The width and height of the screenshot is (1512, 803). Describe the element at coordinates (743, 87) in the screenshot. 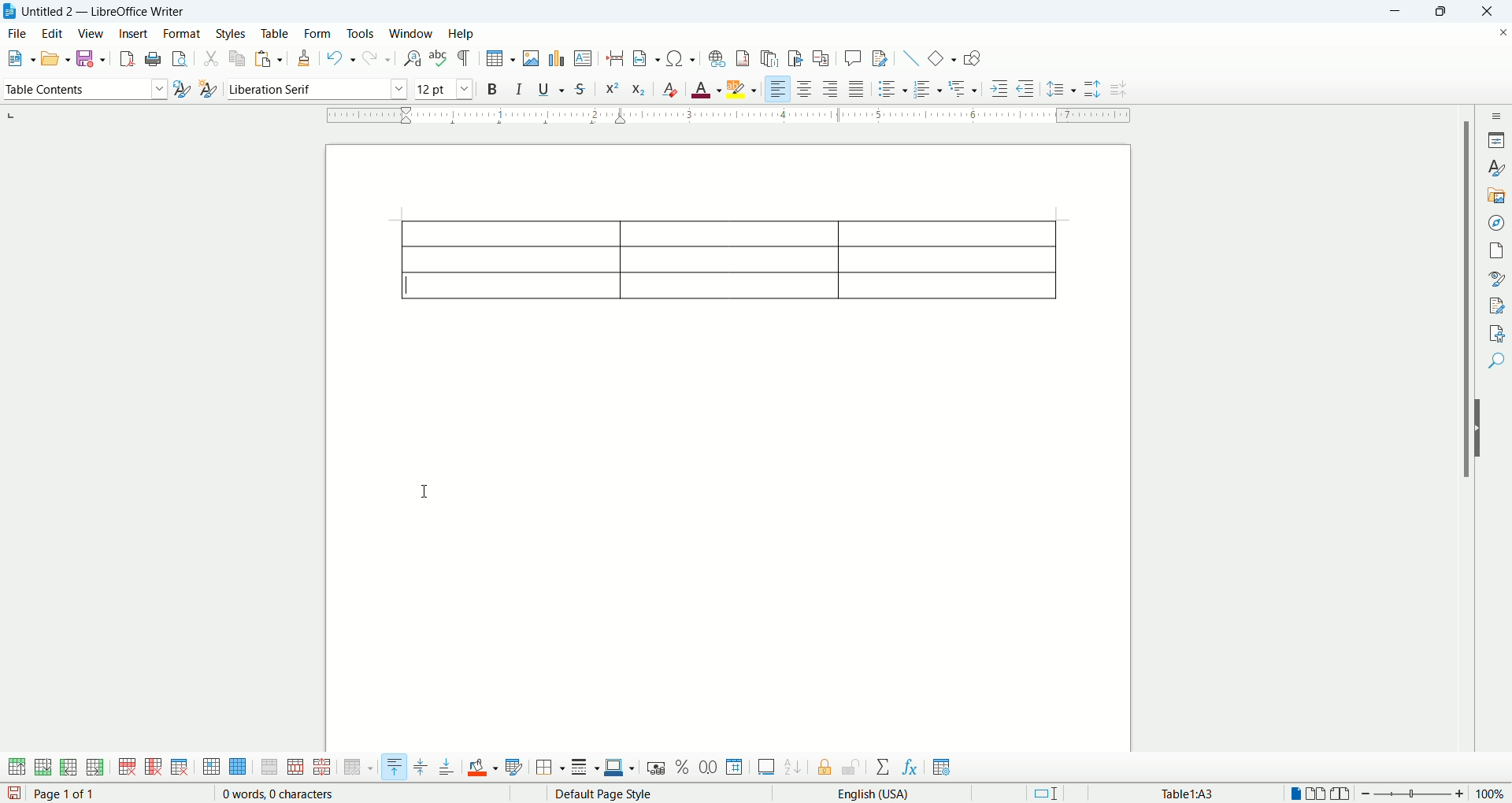

I see `highlighting color` at that location.